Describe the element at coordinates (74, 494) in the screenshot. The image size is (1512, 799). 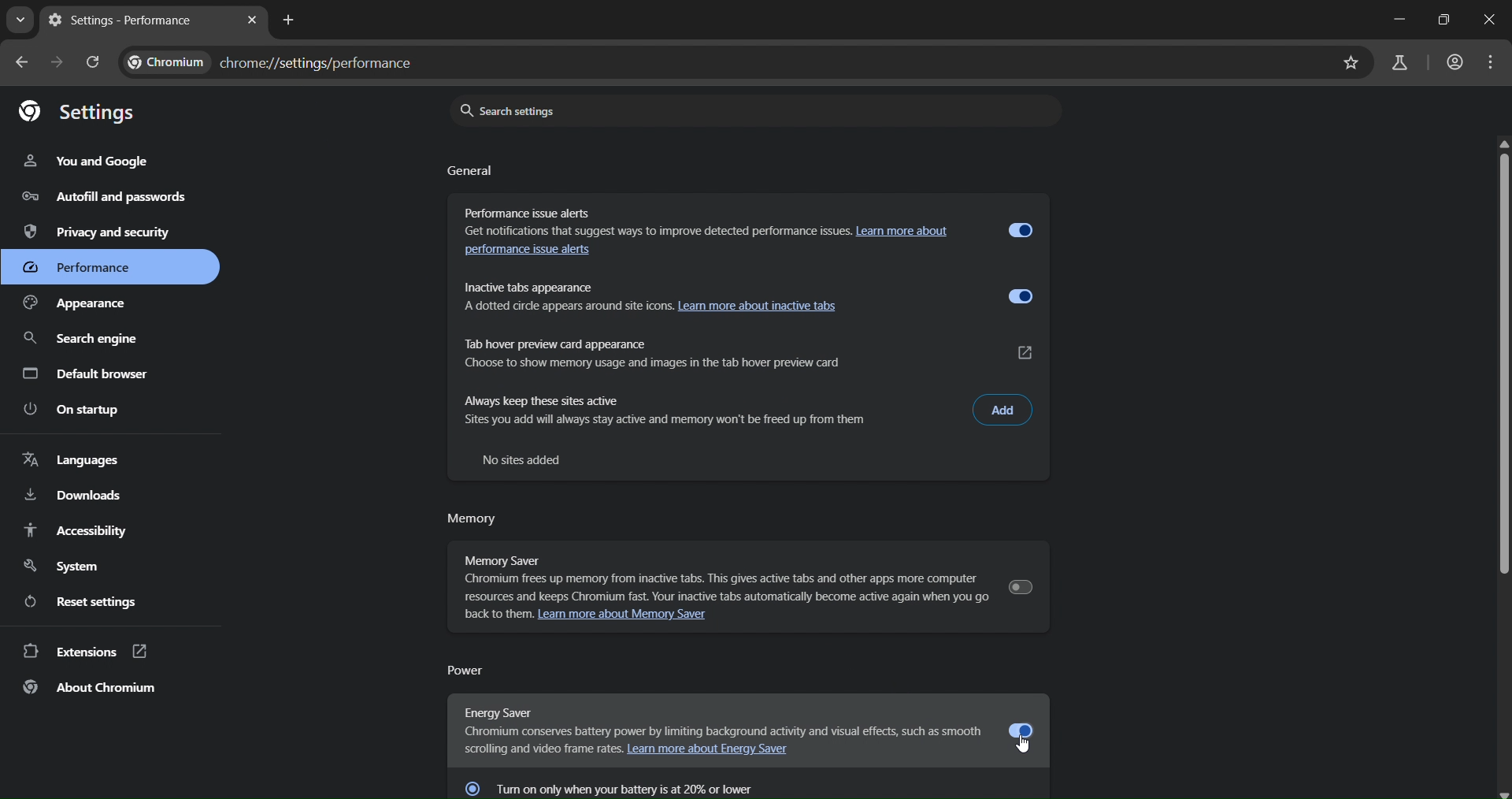
I see `downloads` at that location.